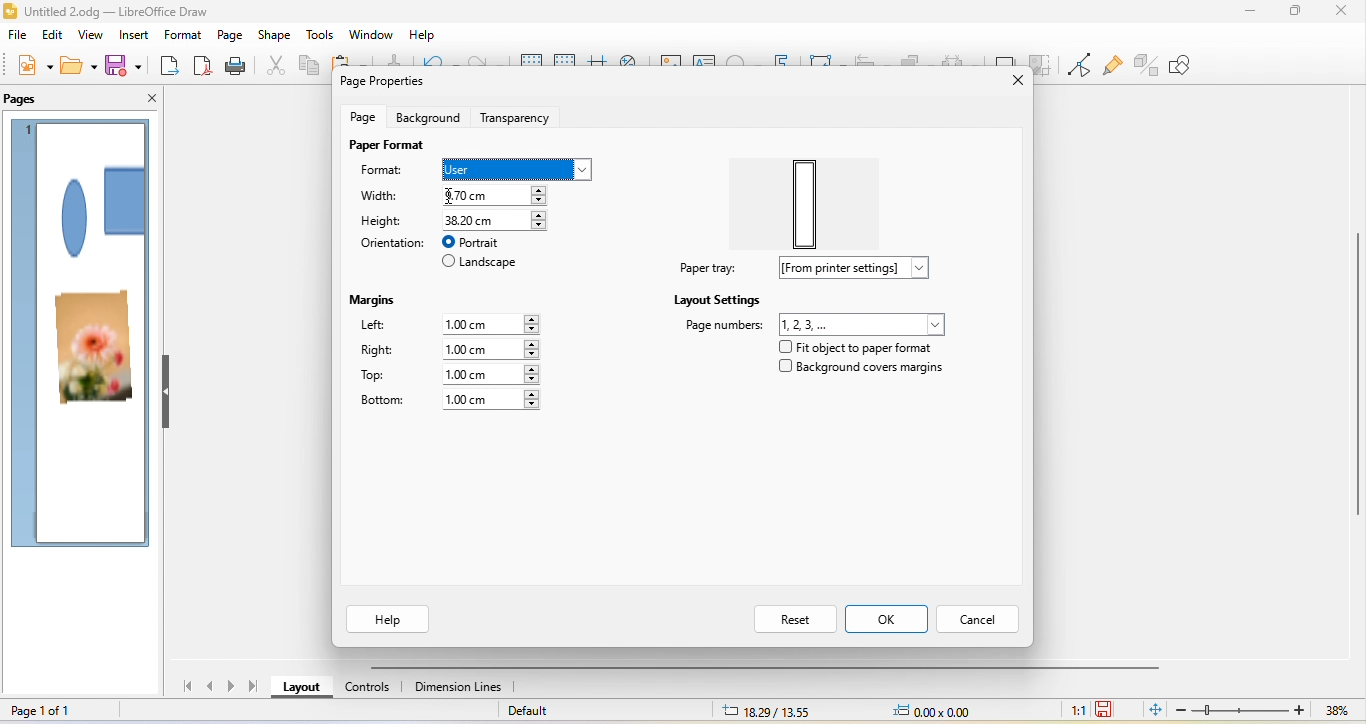  Describe the element at coordinates (815, 323) in the screenshot. I see `page number` at that location.